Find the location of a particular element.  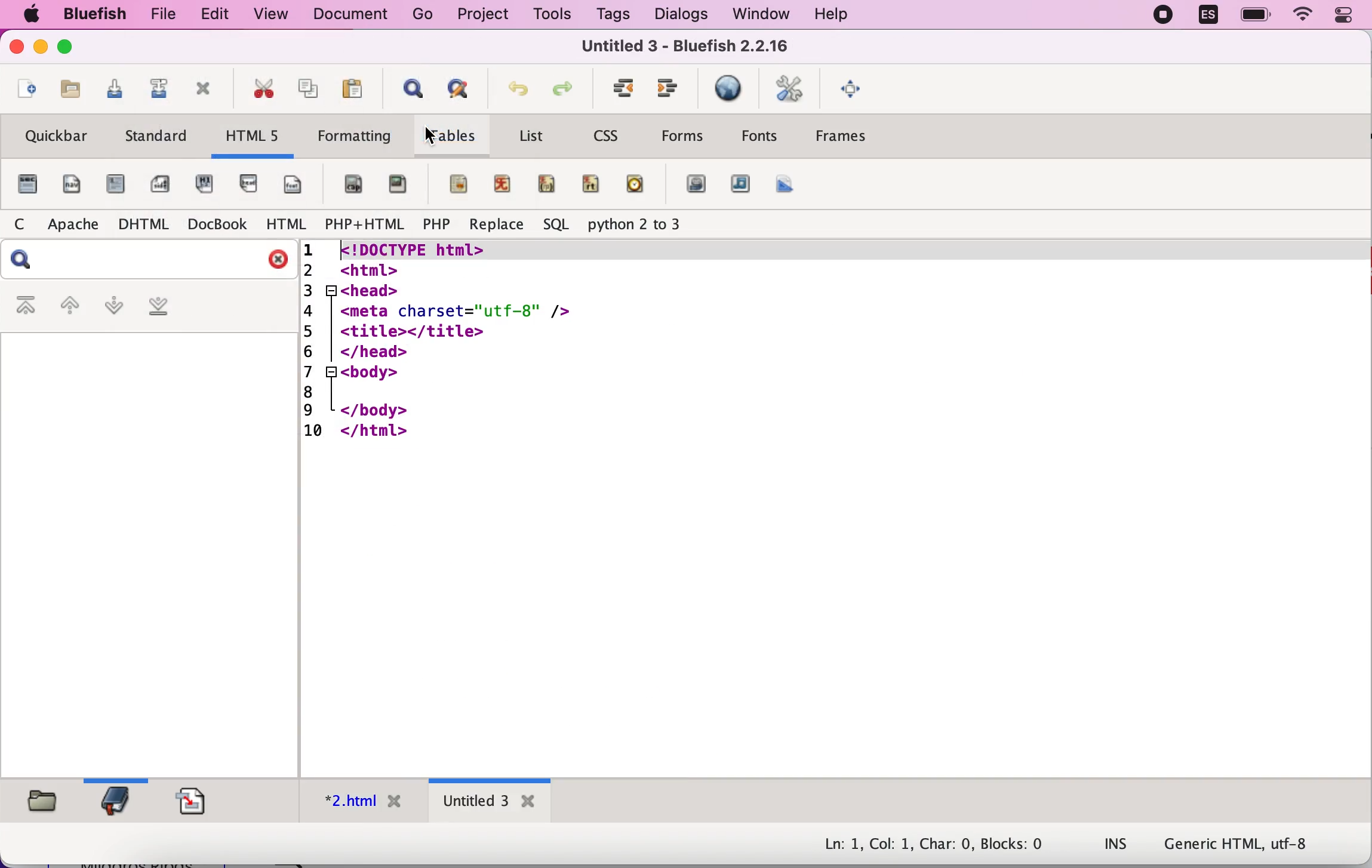

filebrowser is located at coordinates (47, 804).